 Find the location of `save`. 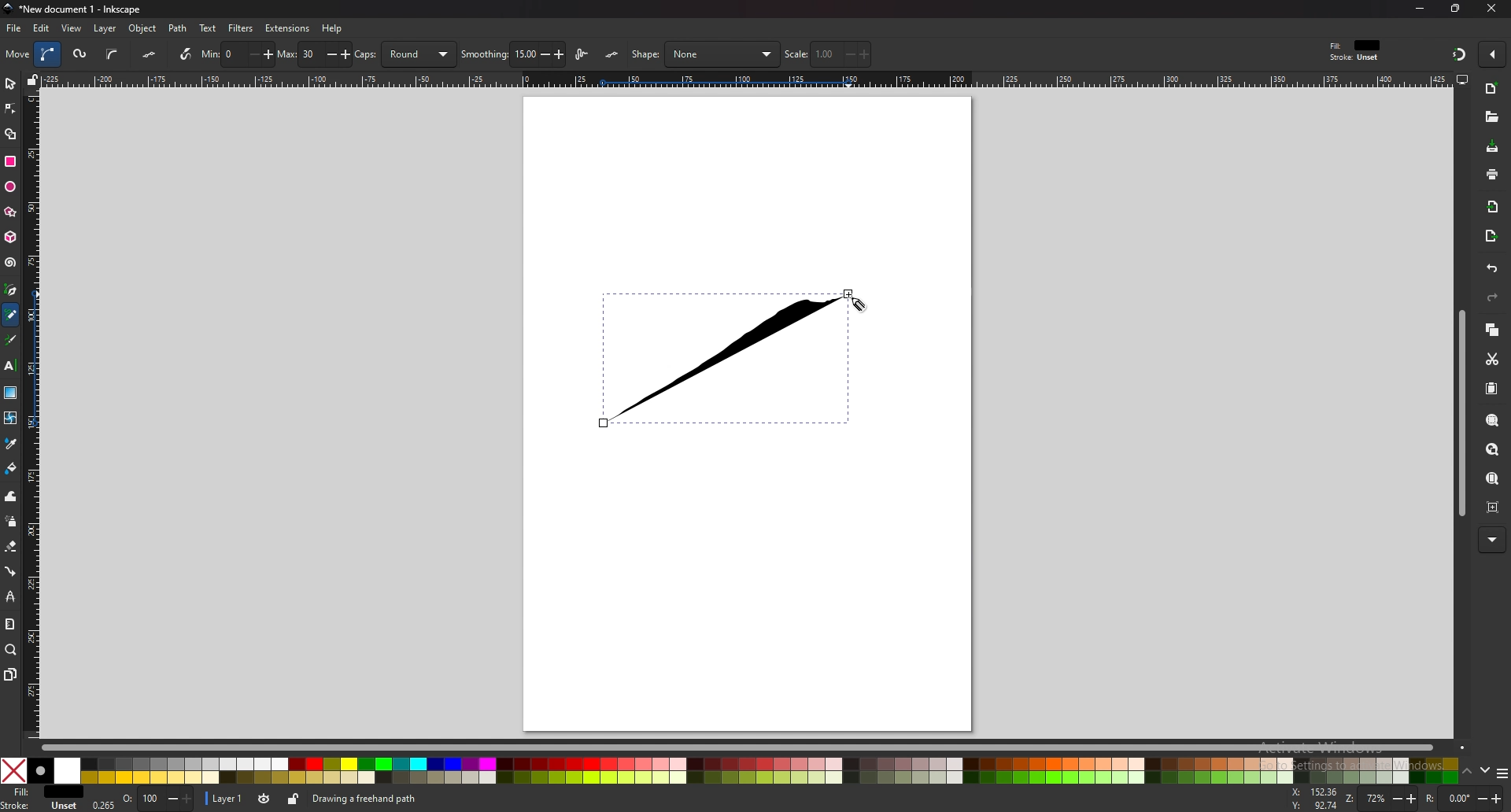

save is located at coordinates (1493, 148).